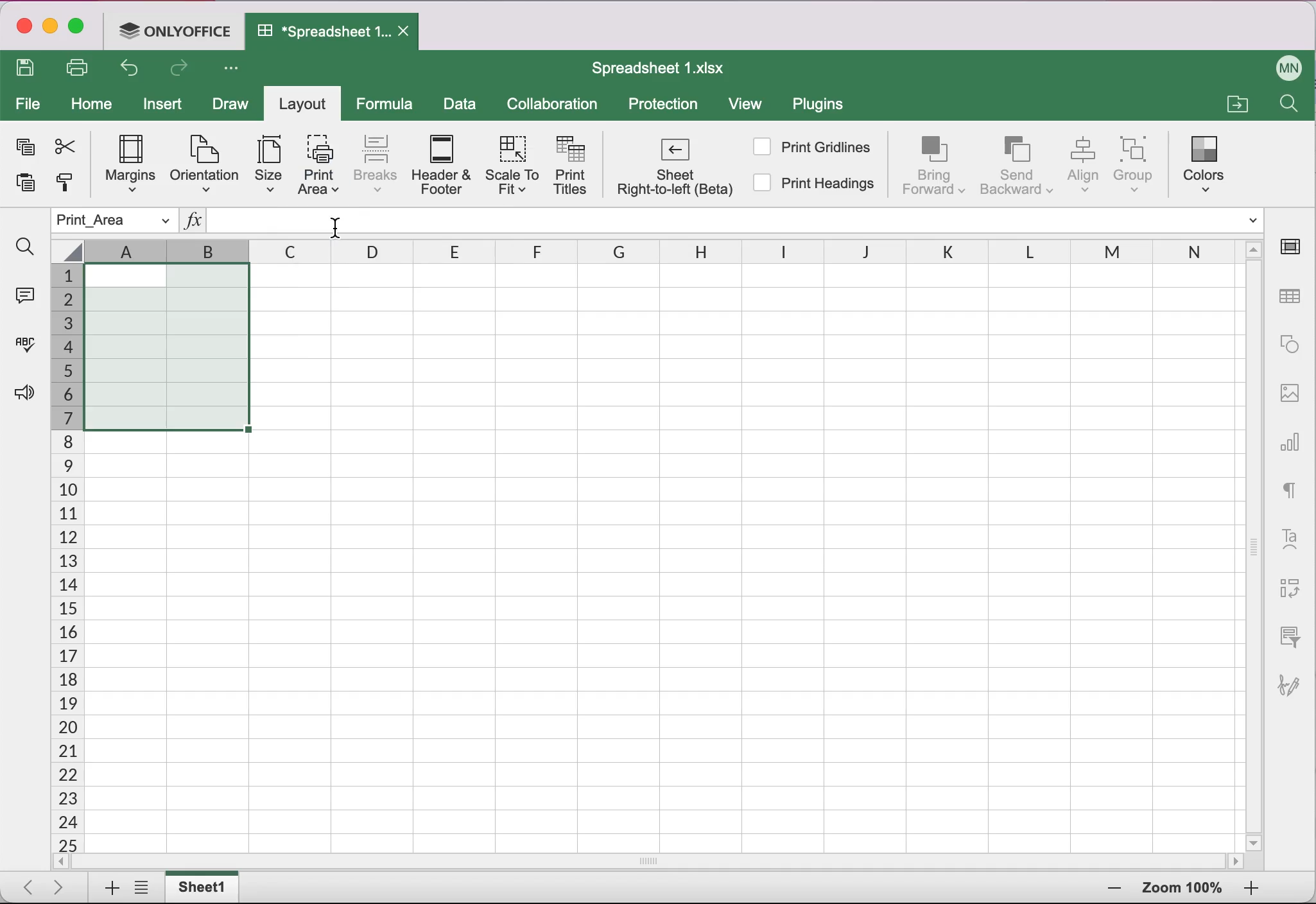 The height and width of the screenshot is (904, 1316). What do you see at coordinates (1295, 679) in the screenshot?
I see `signature` at bounding box center [1295, 679].